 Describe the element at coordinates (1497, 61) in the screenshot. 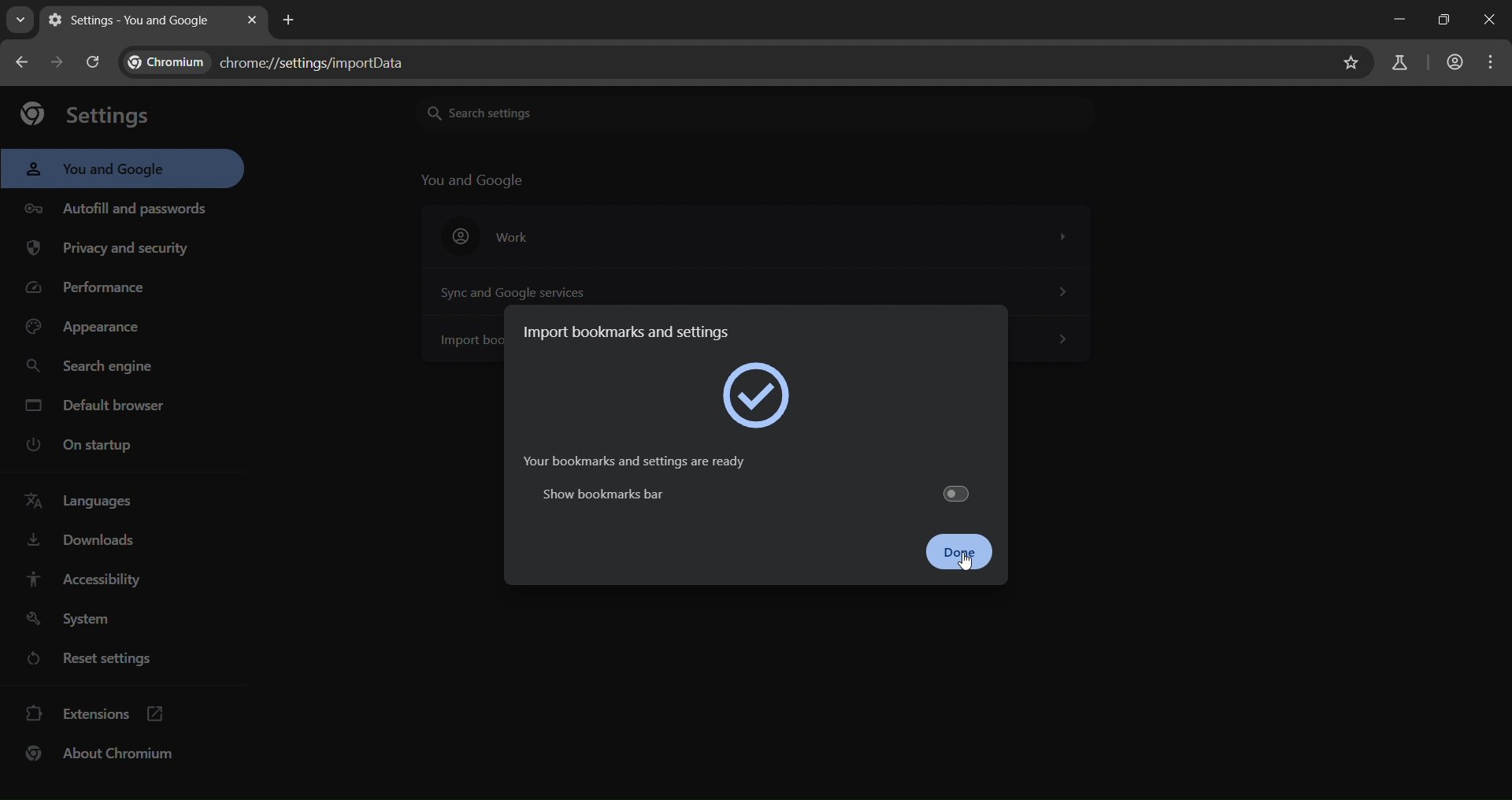

I see `menu` at that location.